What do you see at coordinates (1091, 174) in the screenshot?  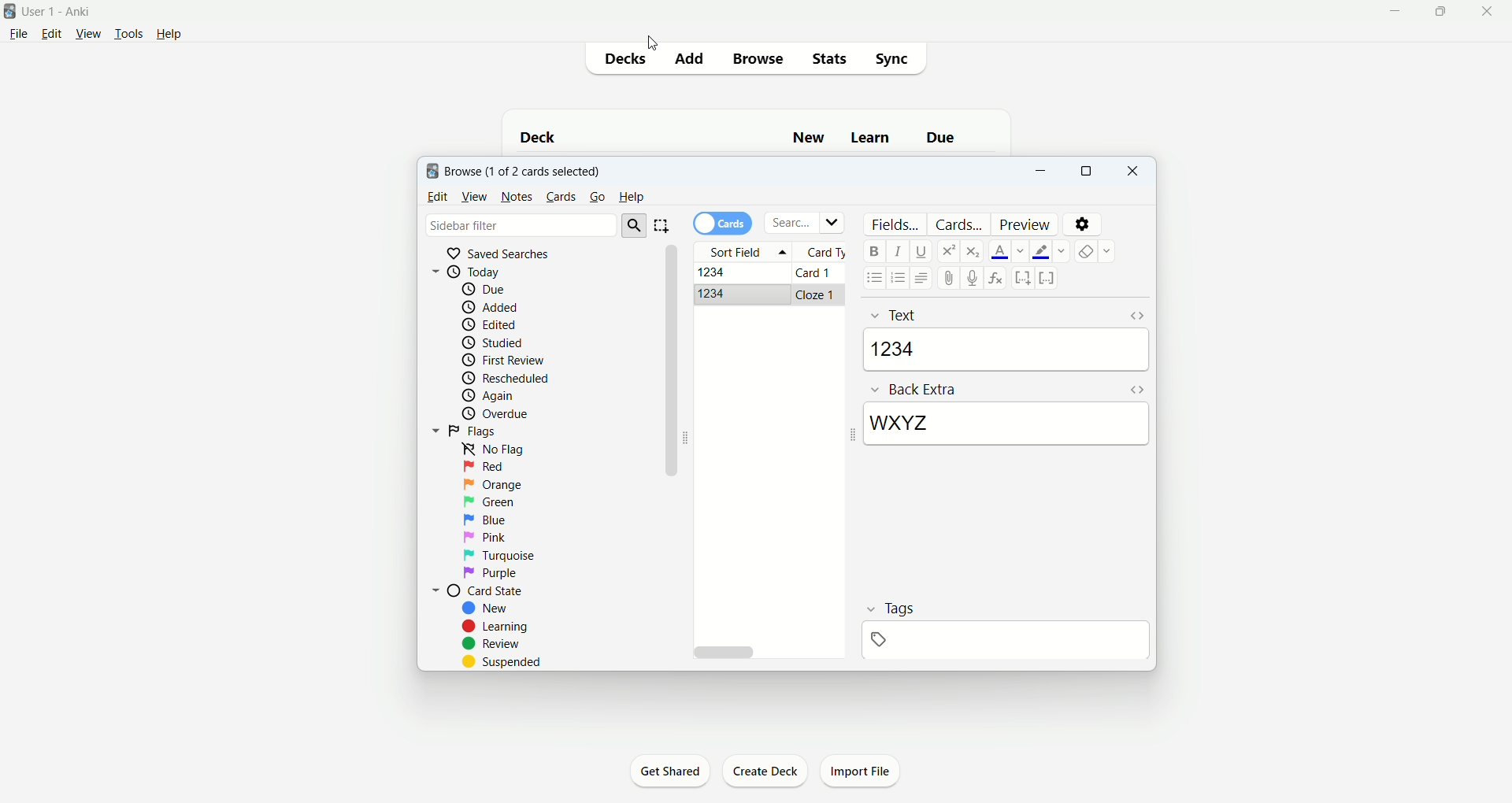 I see `maximize` at bounding box center [1091, 174].